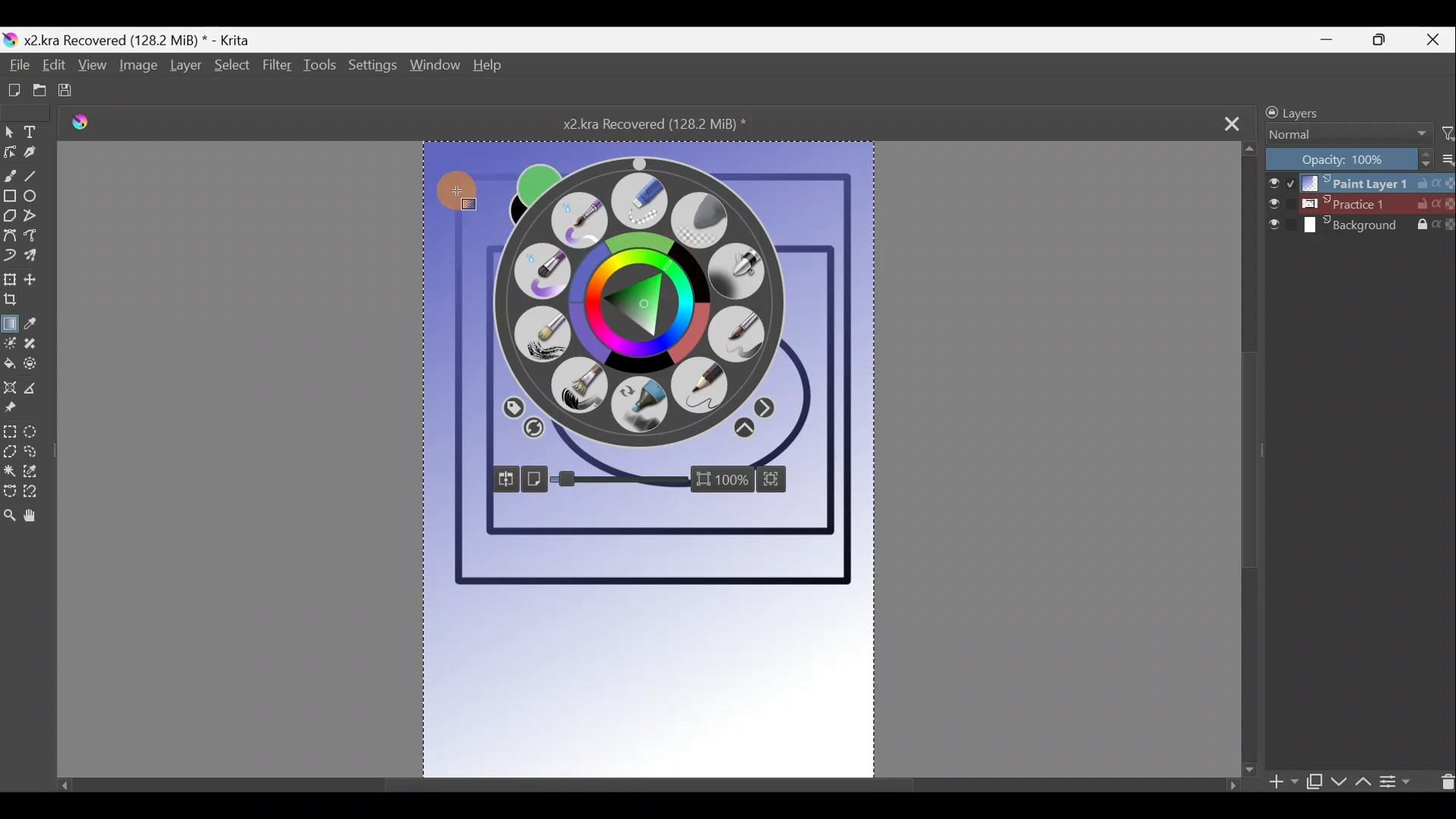  What do you see at coordinates (1232, 122) in the screenshot?
I see `Close tab` at bounding box center [1232, 122].